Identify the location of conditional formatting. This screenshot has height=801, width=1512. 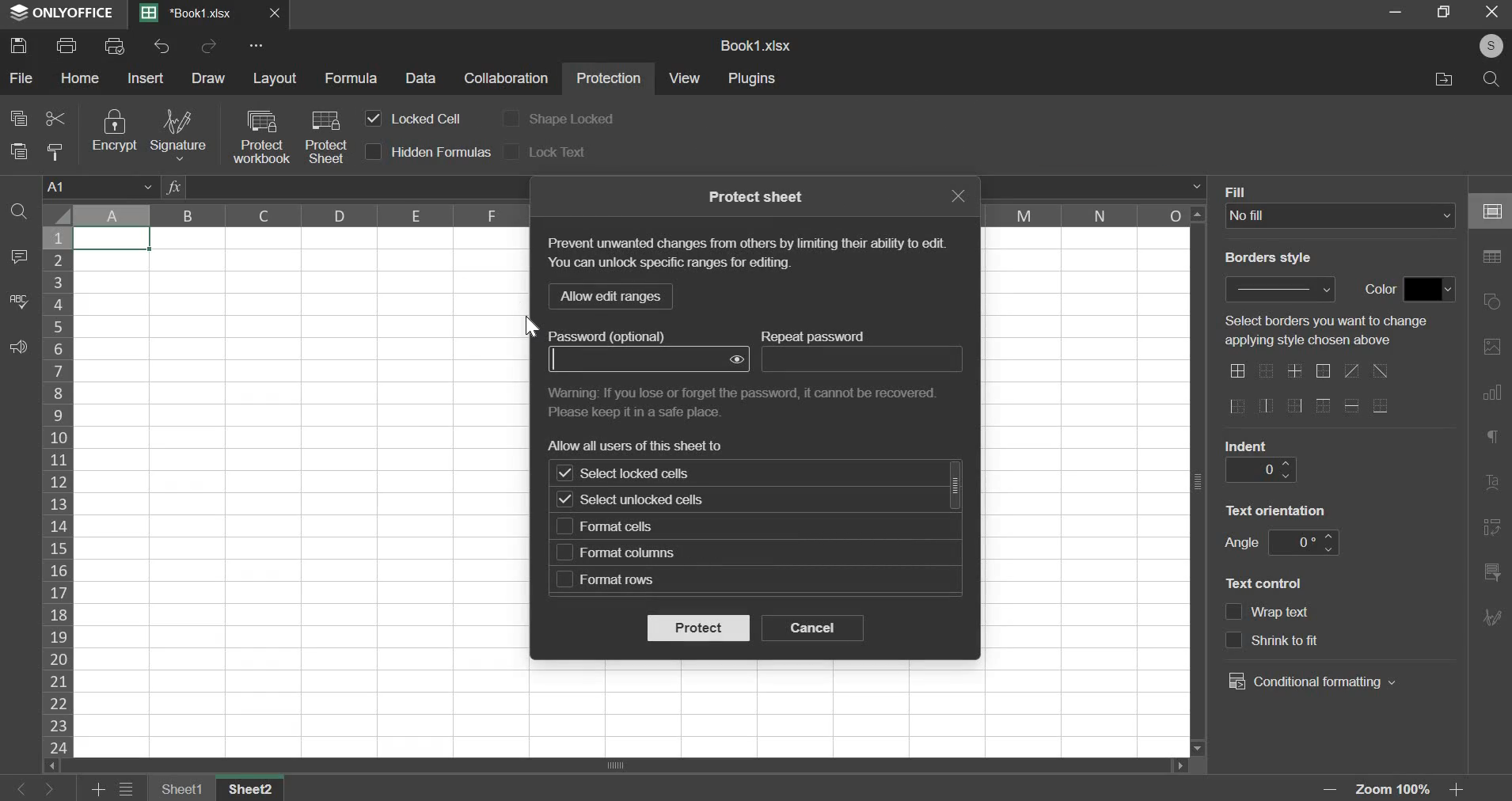
(1311, 681).